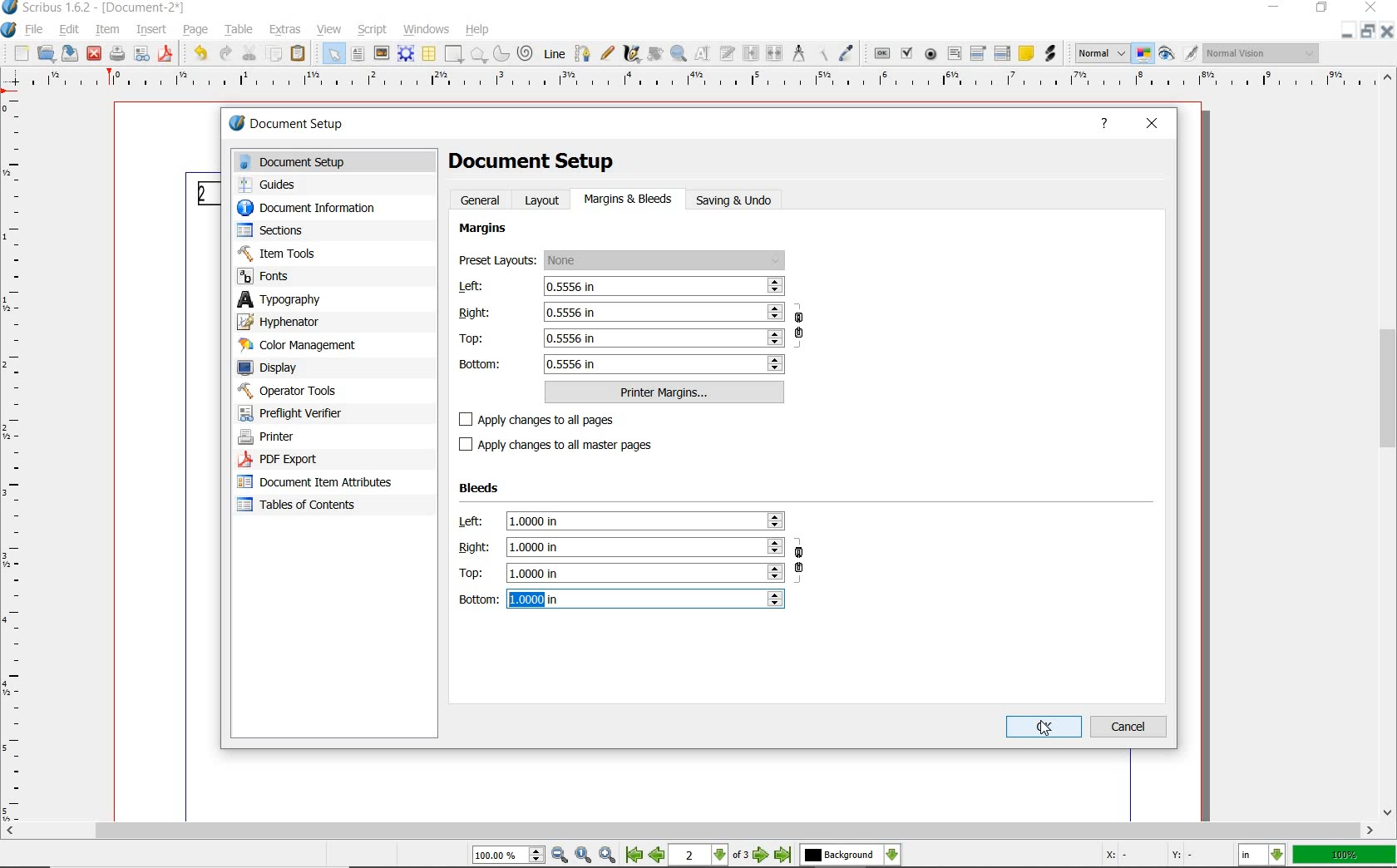 The width and height of the screenshot is (1397, 868). Describe the element at coordinates (328, 29) in the screenshot. I see `view` at that location.